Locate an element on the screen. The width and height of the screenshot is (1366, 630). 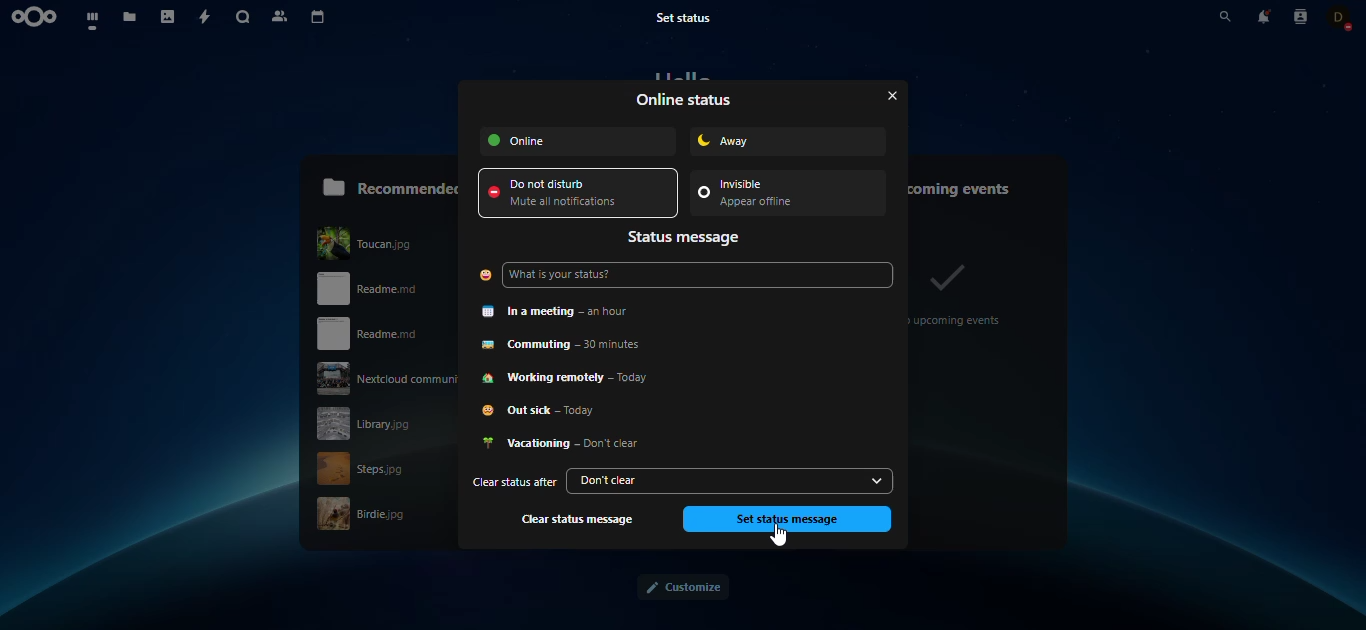
strps.jpg is located at coordinates (374, 468).